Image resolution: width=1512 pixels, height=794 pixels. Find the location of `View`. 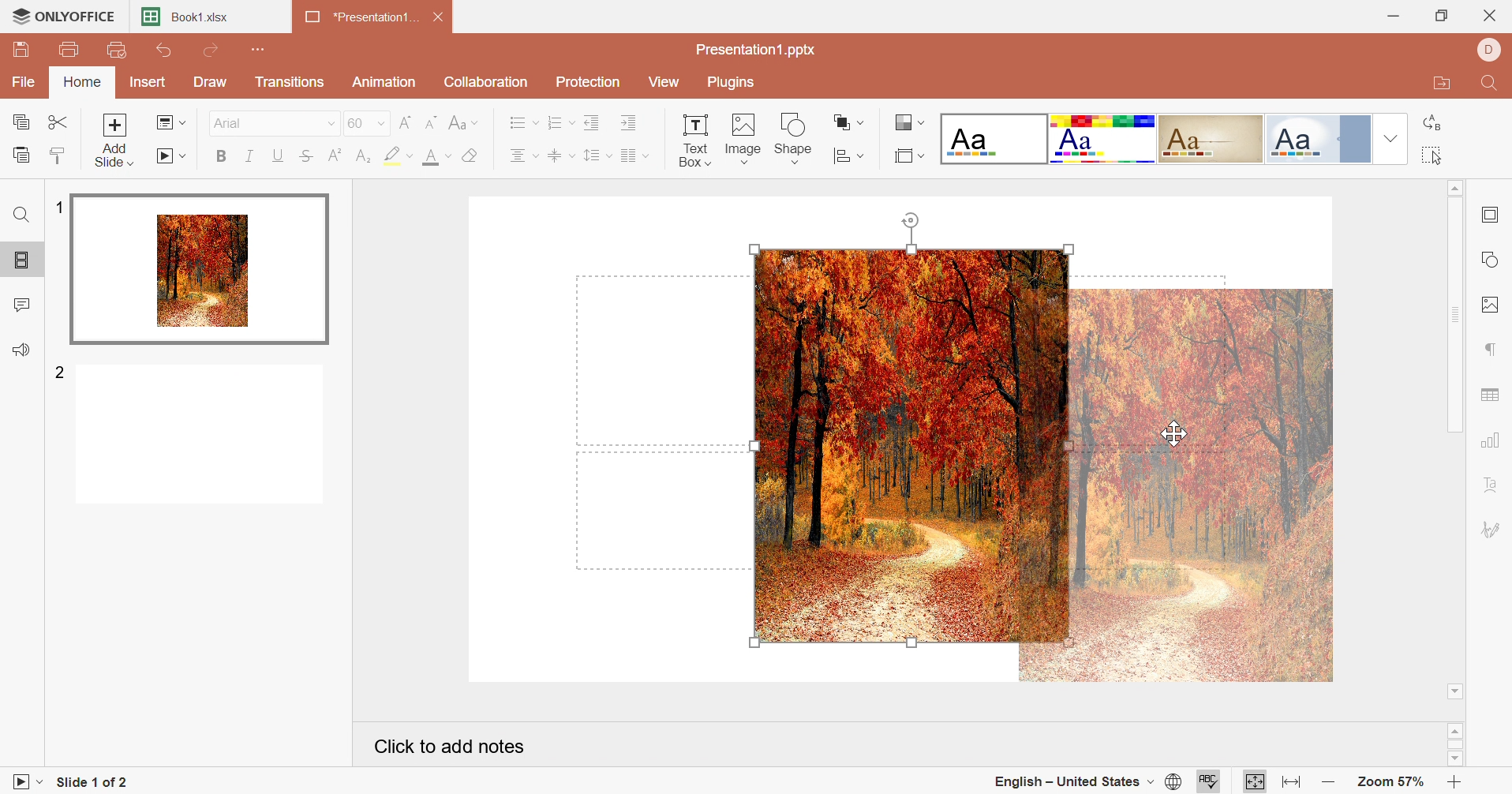

View is located at coordinates (669, 84).